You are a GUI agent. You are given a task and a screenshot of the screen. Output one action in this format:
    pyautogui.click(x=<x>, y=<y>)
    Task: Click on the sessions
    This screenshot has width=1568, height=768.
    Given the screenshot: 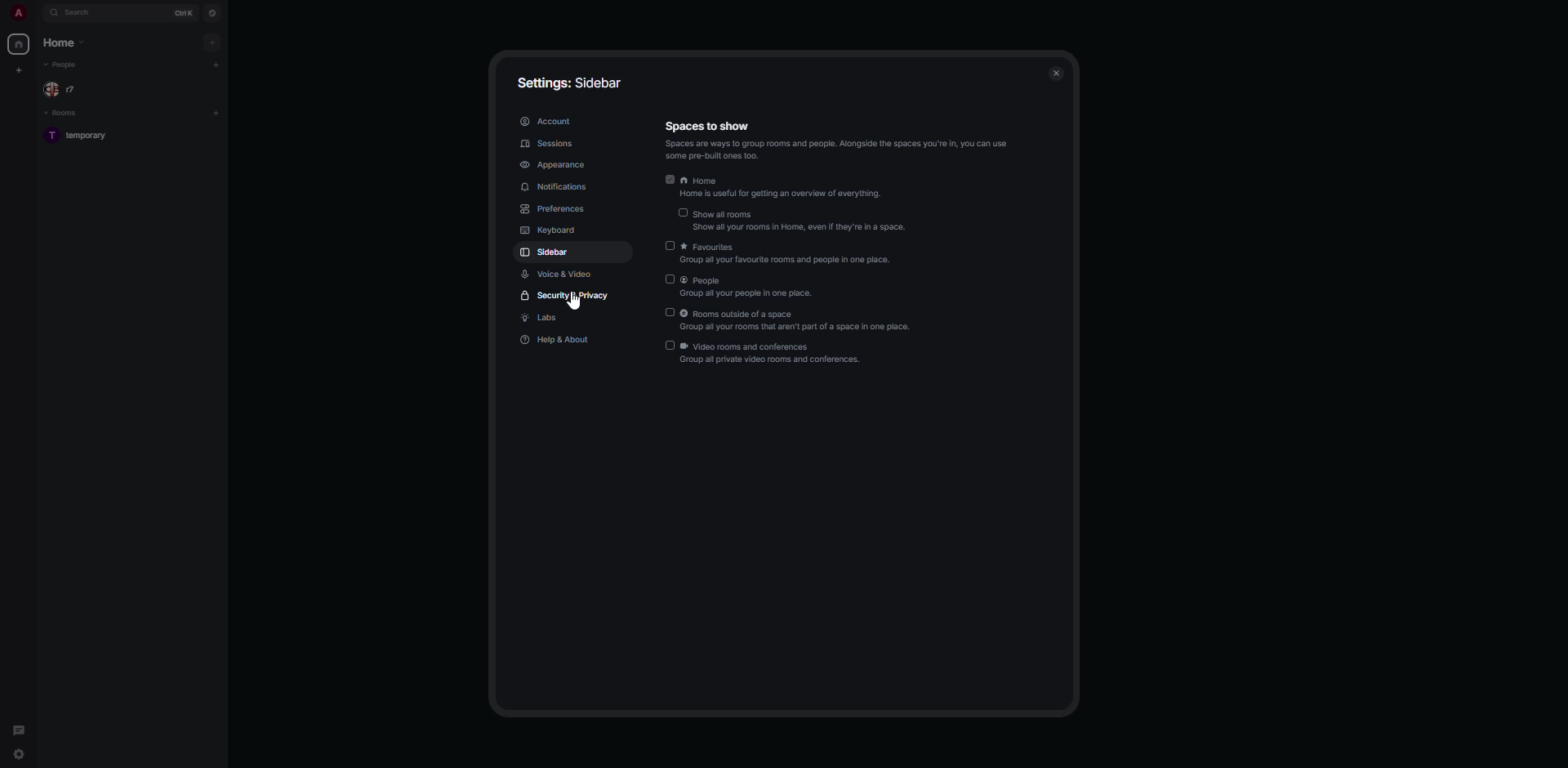 What is the action you would take?
    pyautogui.click(x=549, y=143)
    